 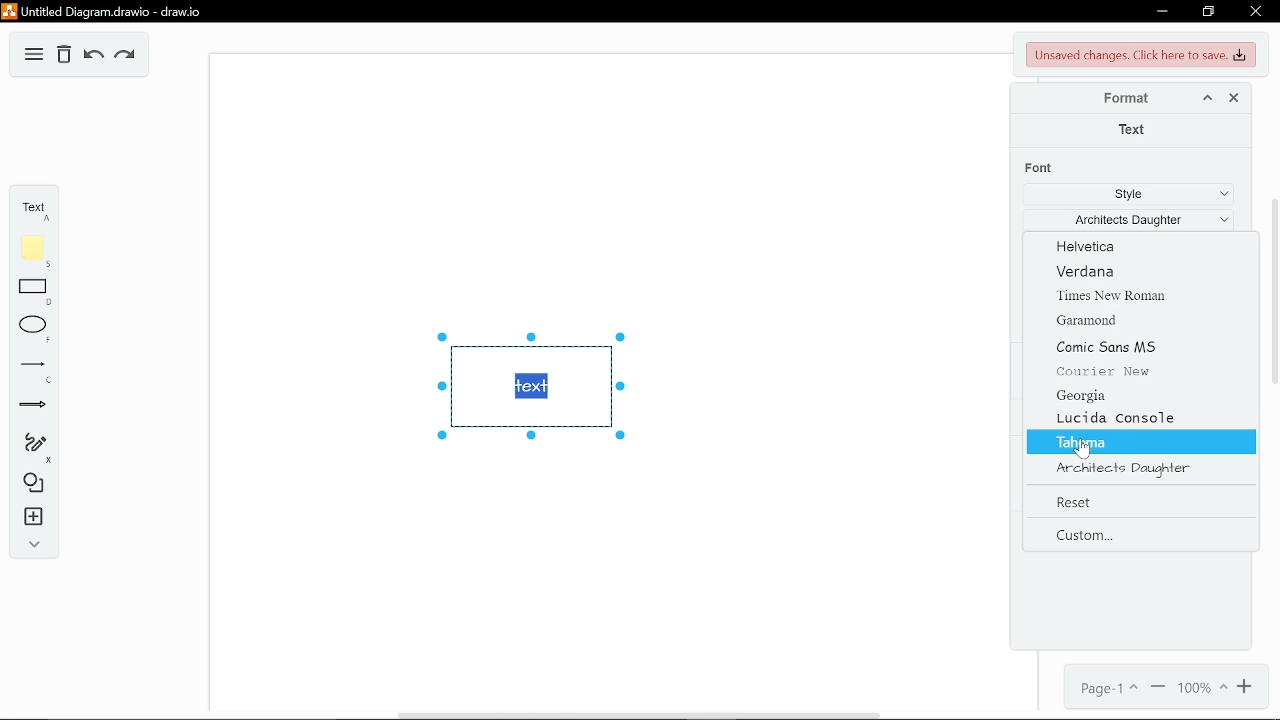 I want to click on undo, so click(x=92, y=56).